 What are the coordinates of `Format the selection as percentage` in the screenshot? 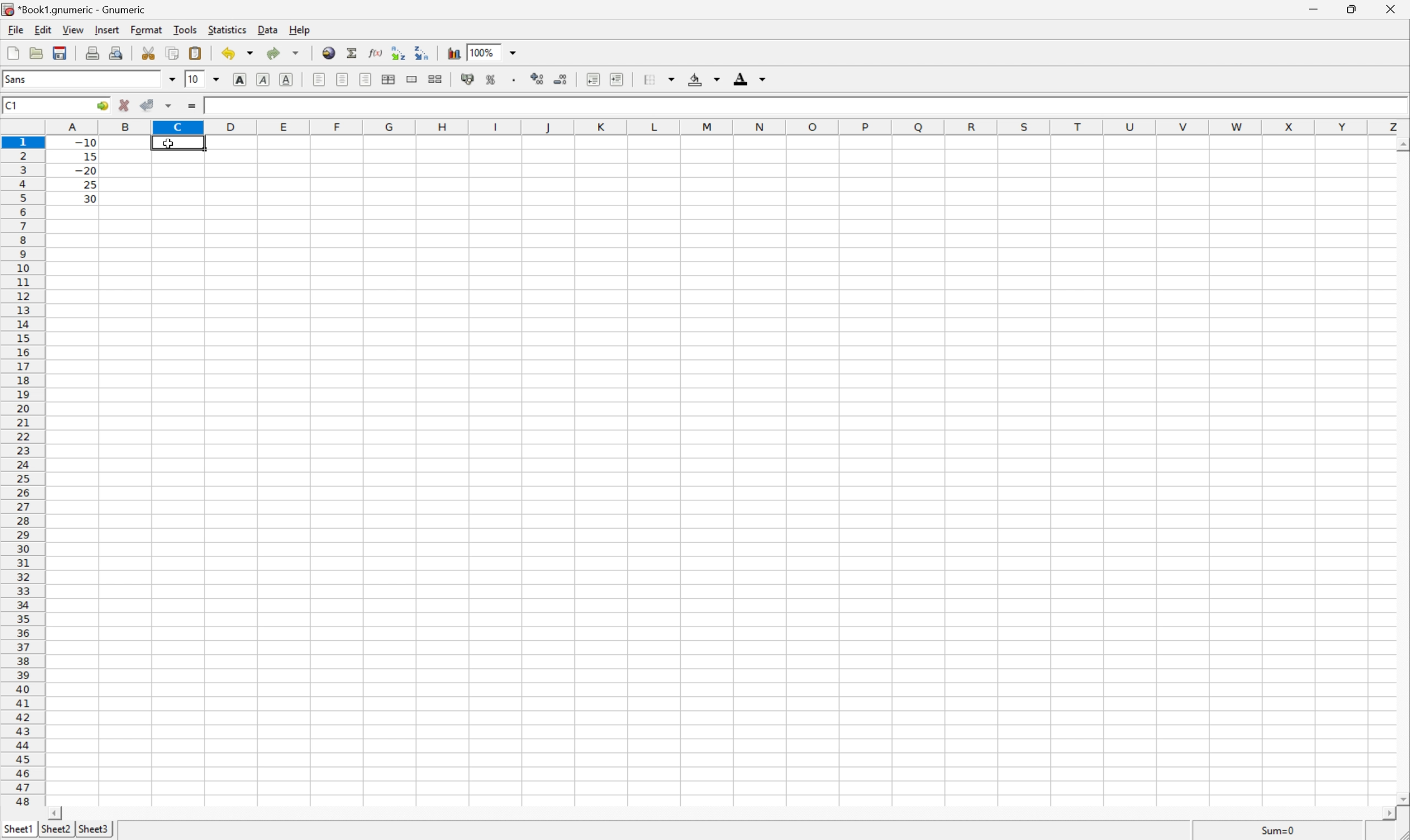 It's located at (492, 82).